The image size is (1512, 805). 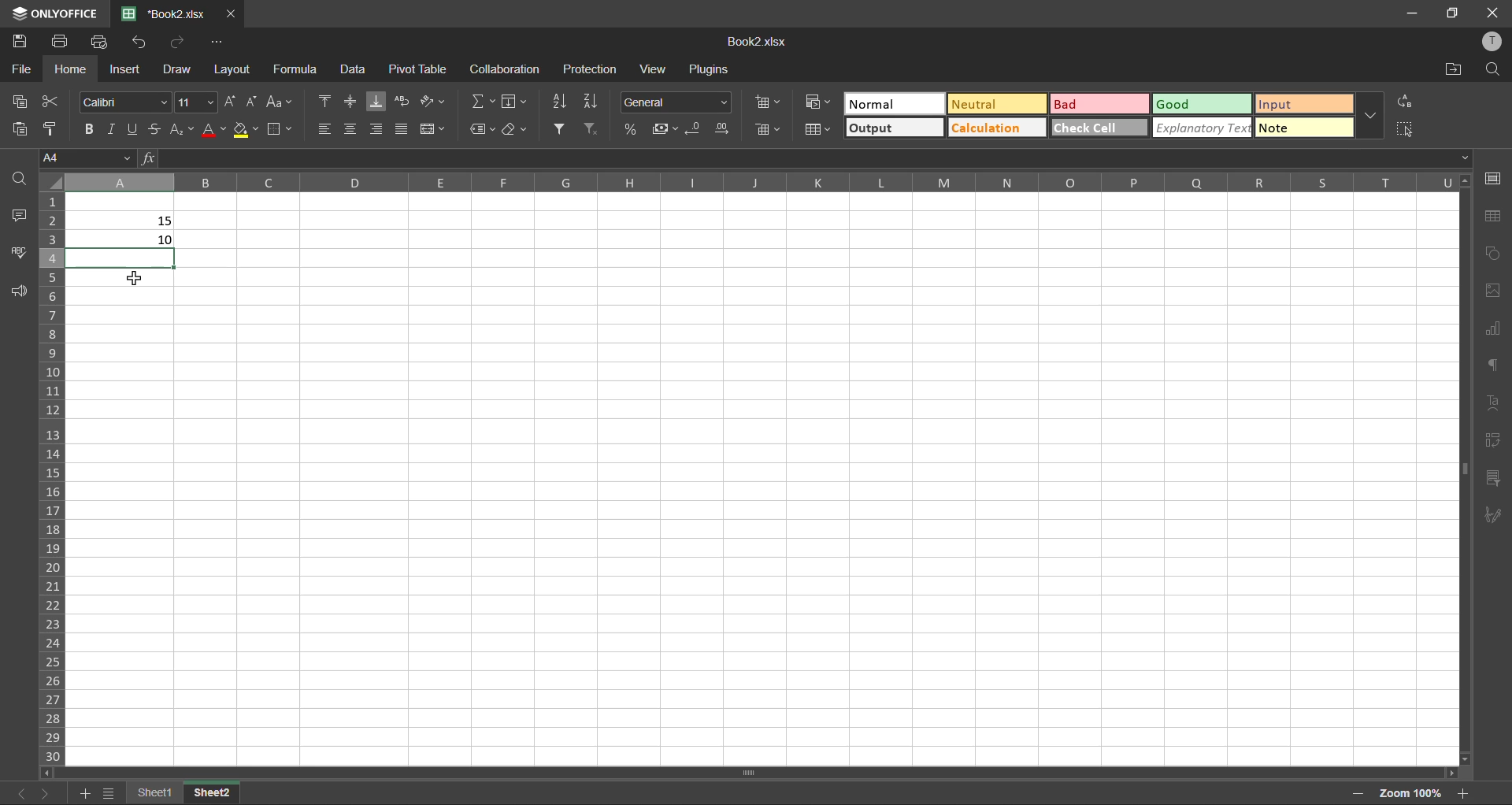 What do you see at coordinates (61, 39) in the screenshot?
I see `print` at bounding box center [61, 39].